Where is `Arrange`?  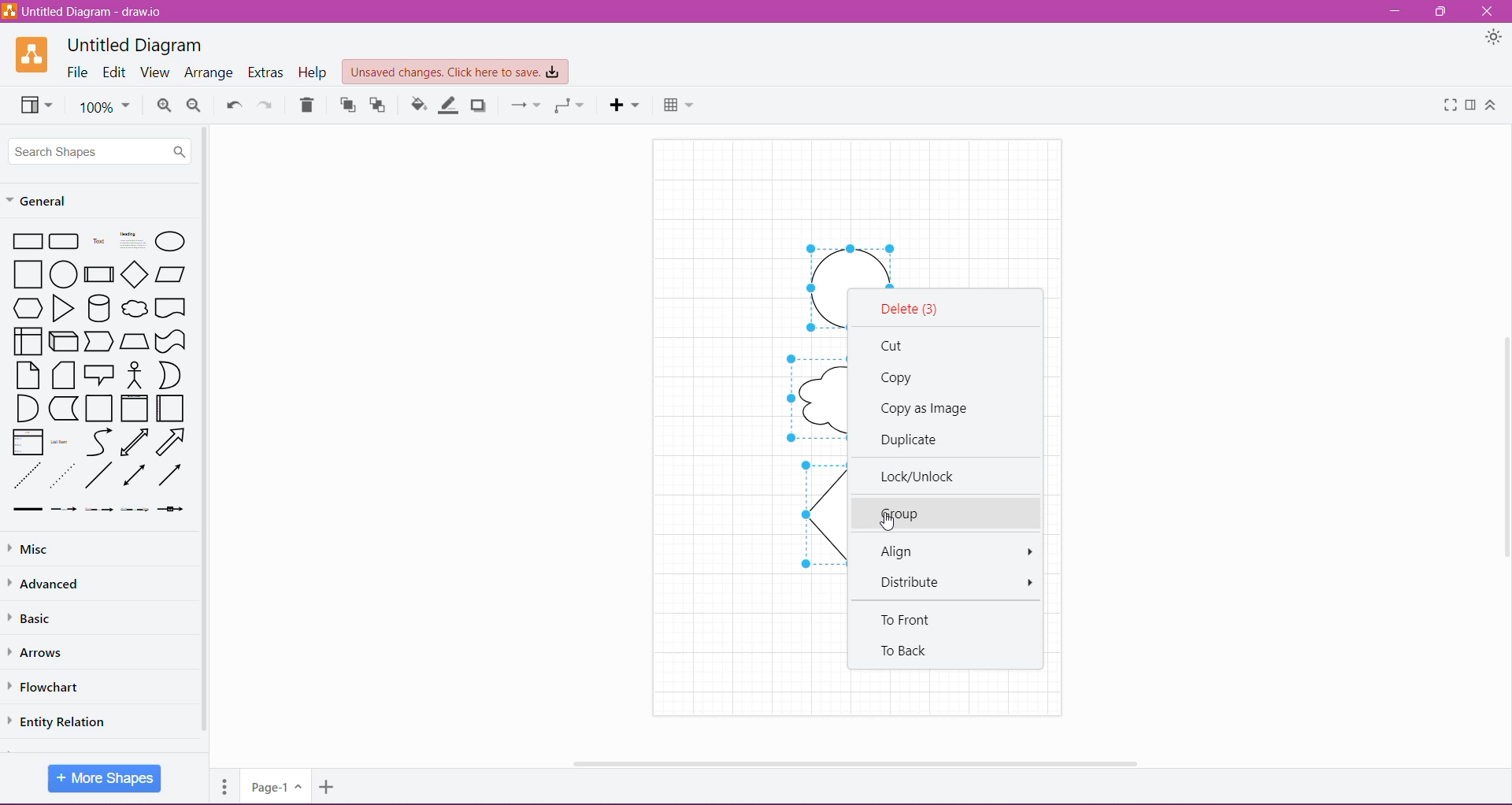
Arrange is located at coordinates (209, 73).